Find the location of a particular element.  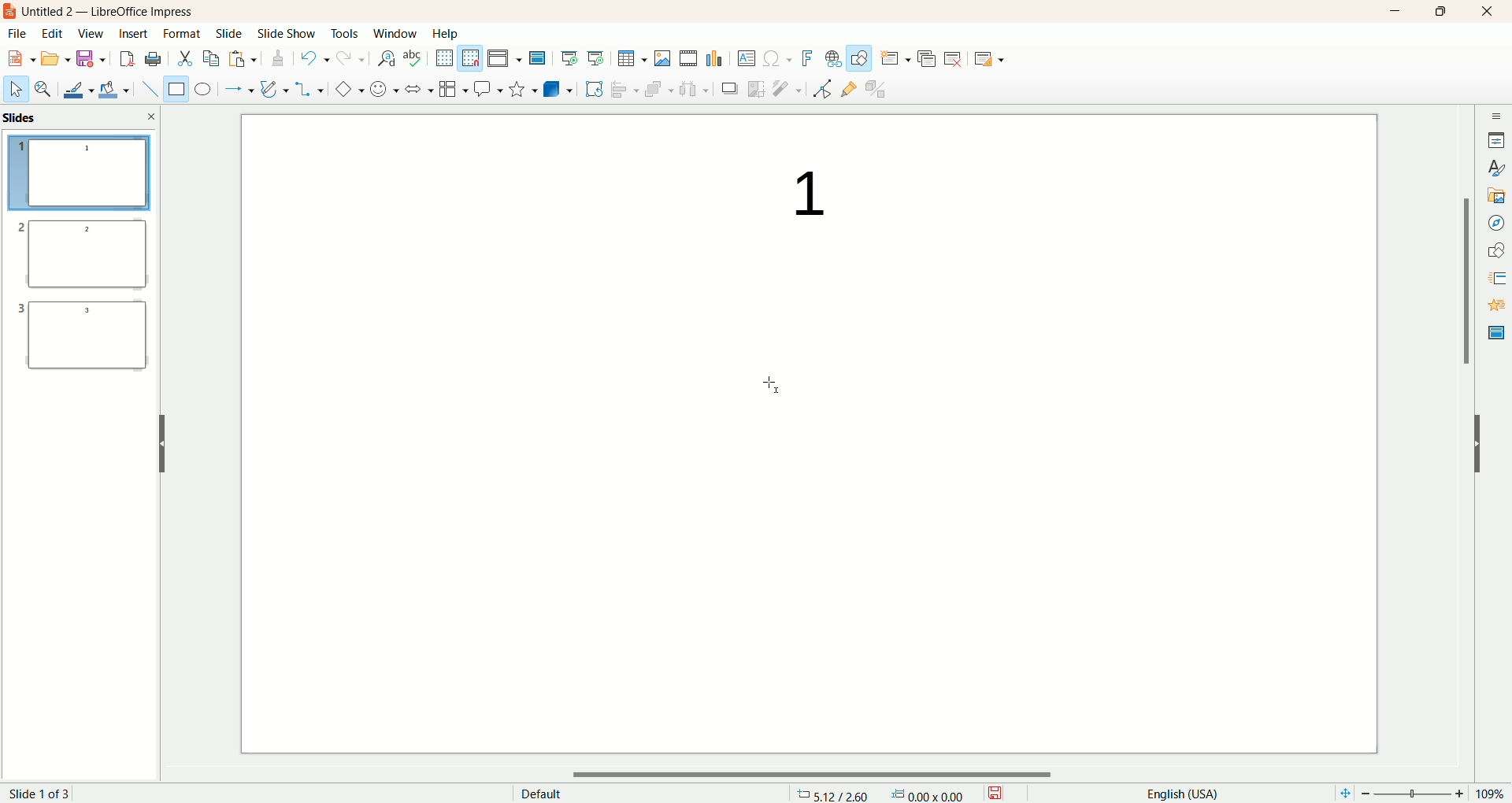

sidebar settings is located at coordinates (1495, 113).